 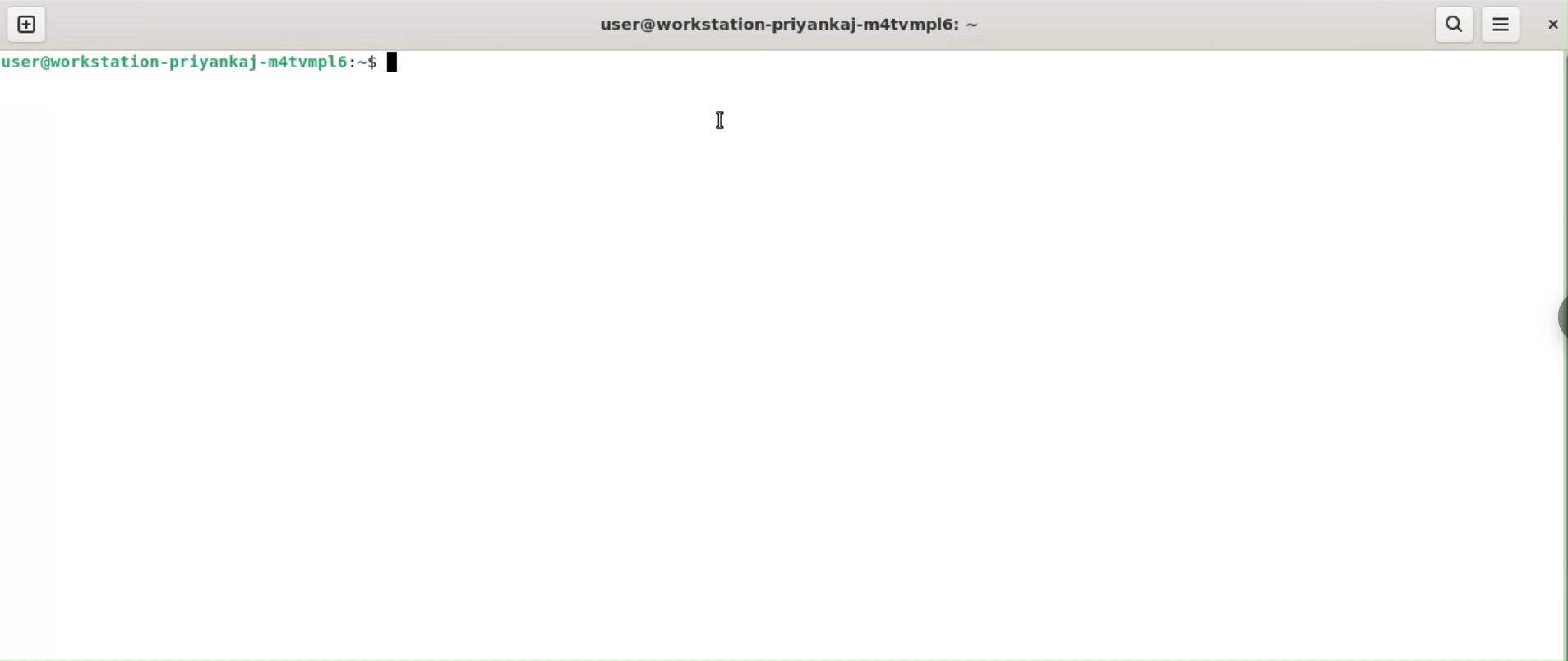 What do you see at coordinates (1560, 318) in the screenshot?
I see `sidebar` at bounding box center [1560, 318].